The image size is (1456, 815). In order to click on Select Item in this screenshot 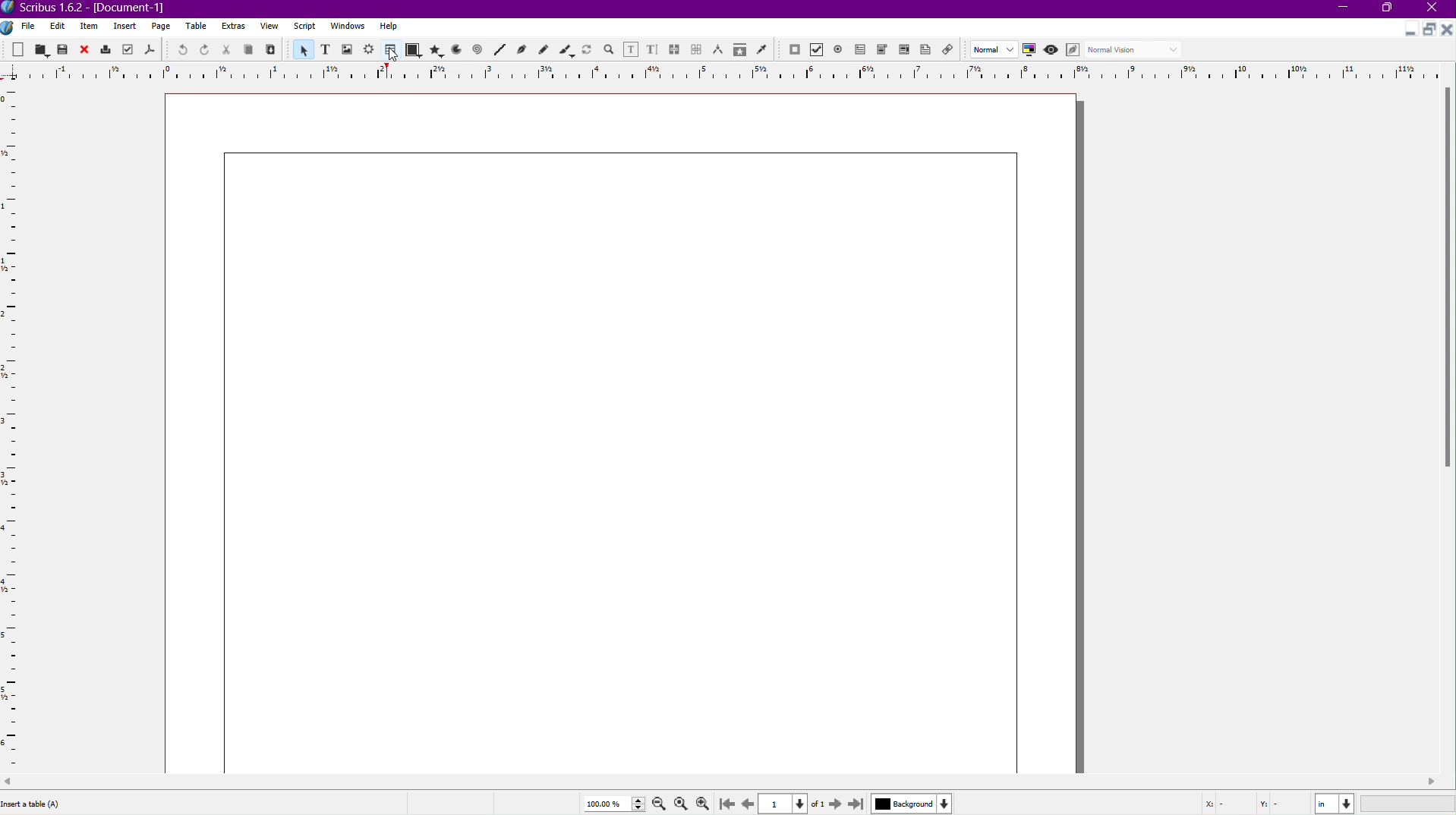, I will do `click(301, 49)`.